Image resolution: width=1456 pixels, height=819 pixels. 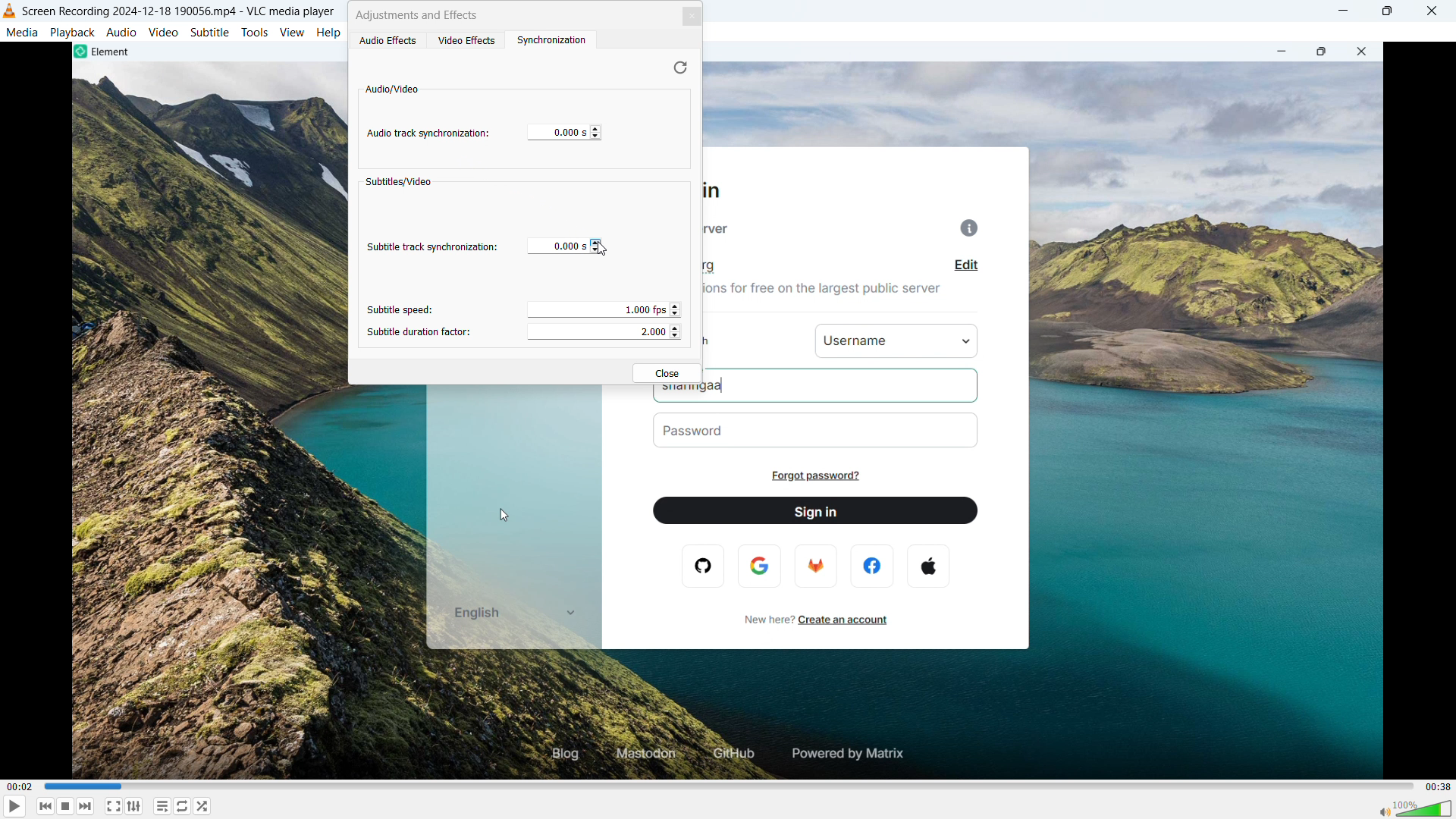 What do you see at coordinates (431, 248) in the screenshot?
I see `subtitle track synchronization` at bounding box center [431, 248].